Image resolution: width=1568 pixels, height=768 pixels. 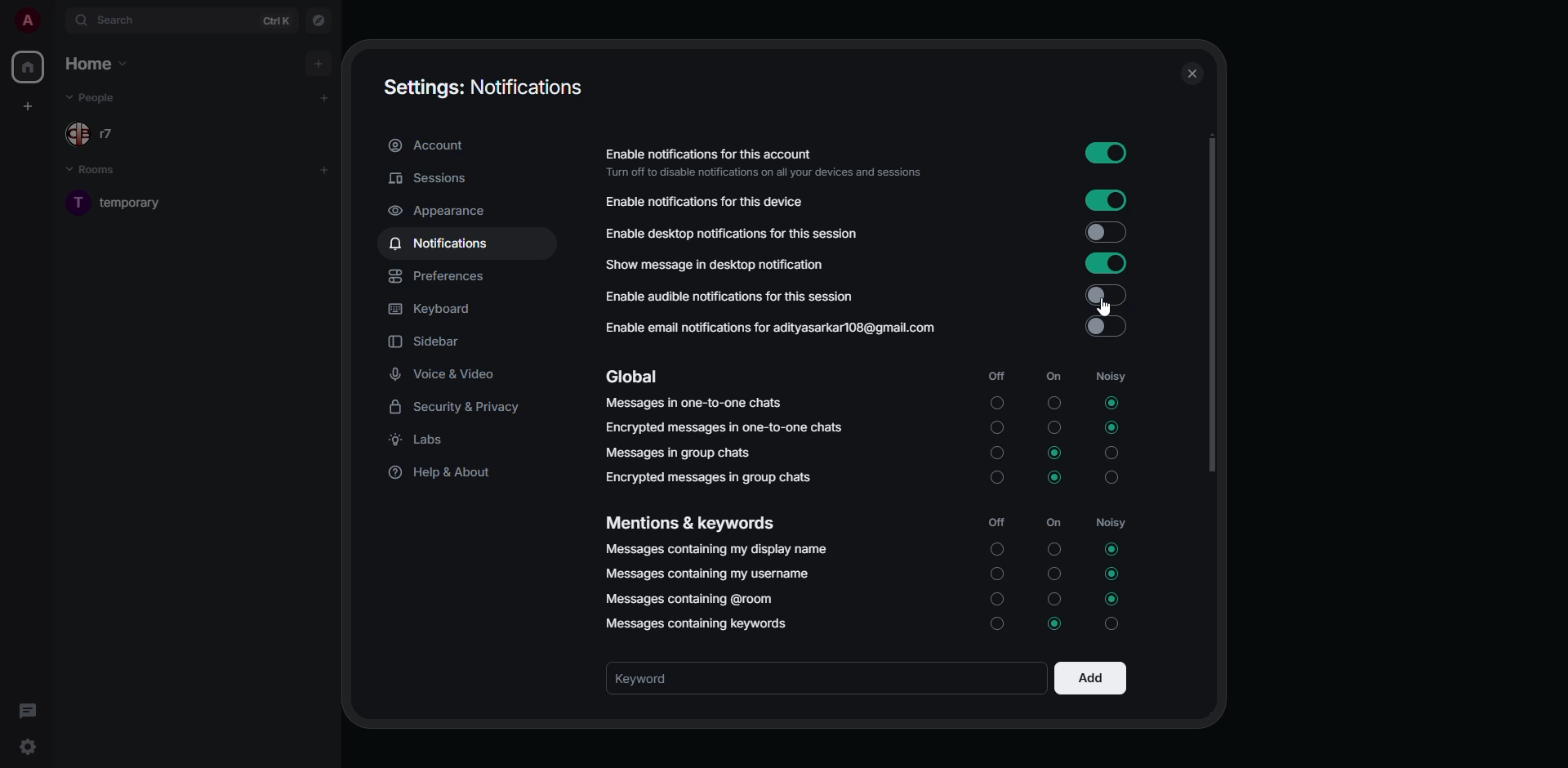 I want to click on selected, so click(x=1112, y=573).